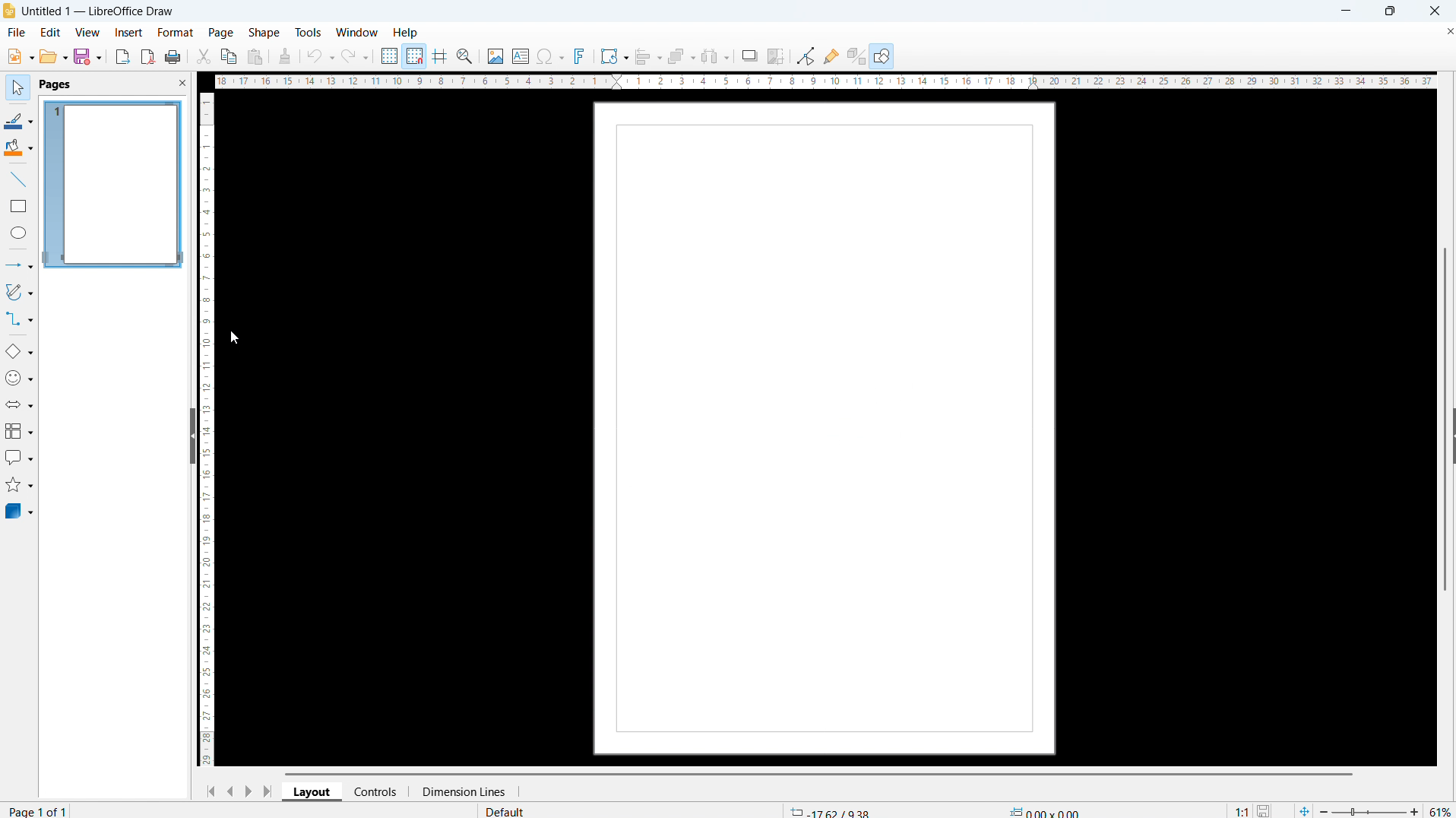 Image resolution: width=1456 pixels, height=818 pixels. What do you see at coordinates (248, 791) in the screenshot?
I see `next page` at bounding box center [248, 791].